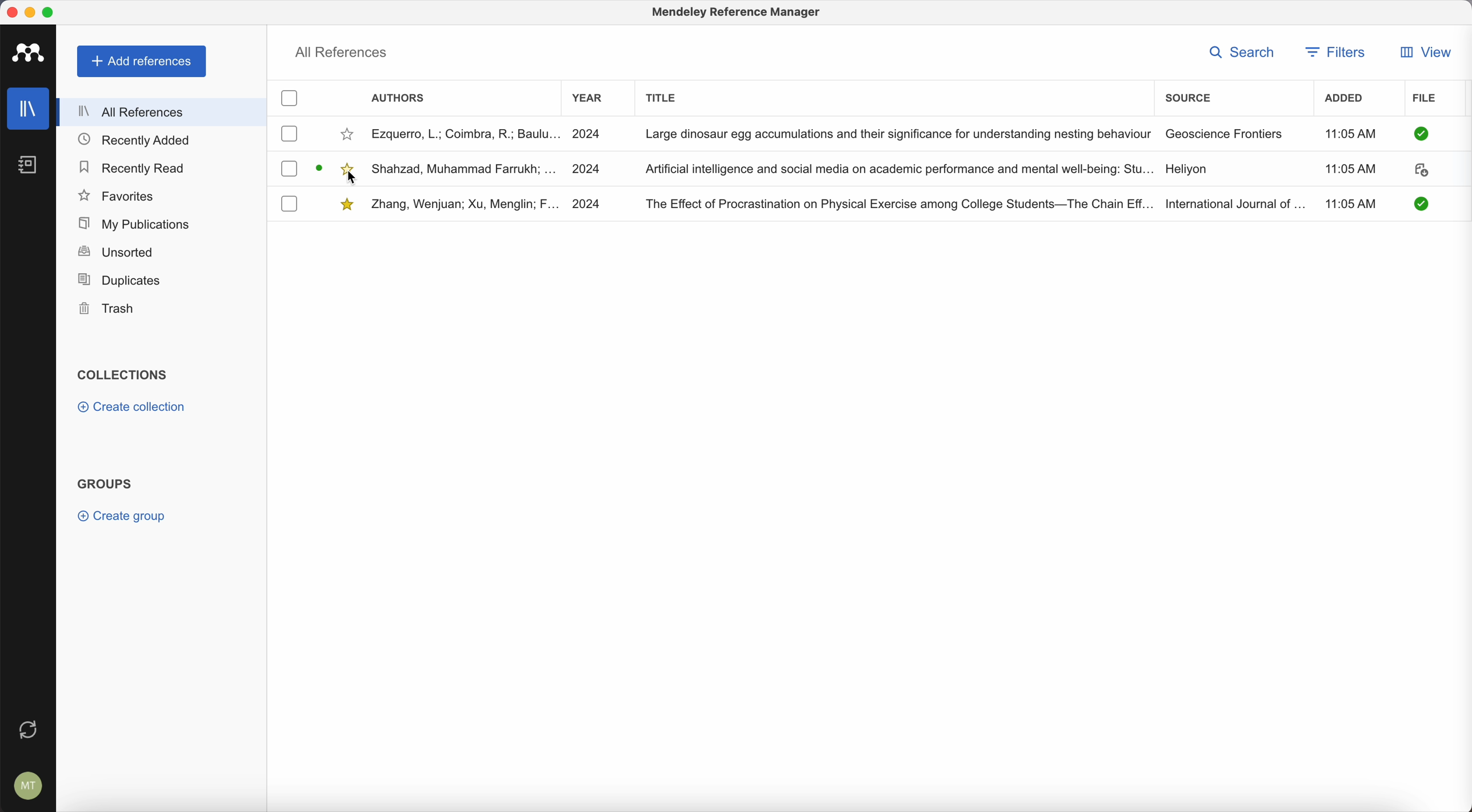 Image resolution: width=1472 pixels, height=812 pixels. I want to click on 2024, so click(590, 132).